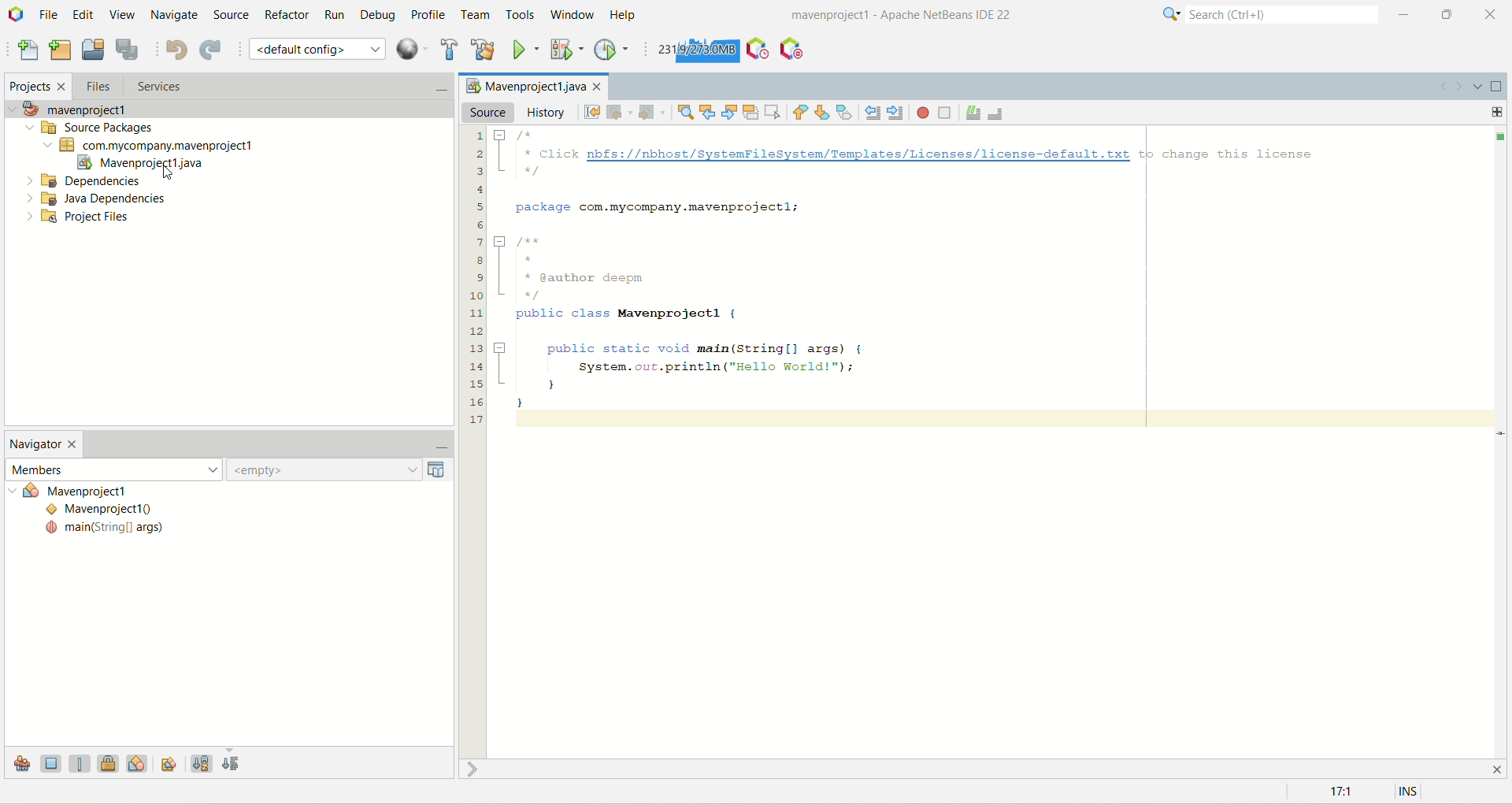 The width and height of the screenshot is (1512, 805). Describe the element at coordinates (35, 88) in the screenshot. I see `projects` at that location.